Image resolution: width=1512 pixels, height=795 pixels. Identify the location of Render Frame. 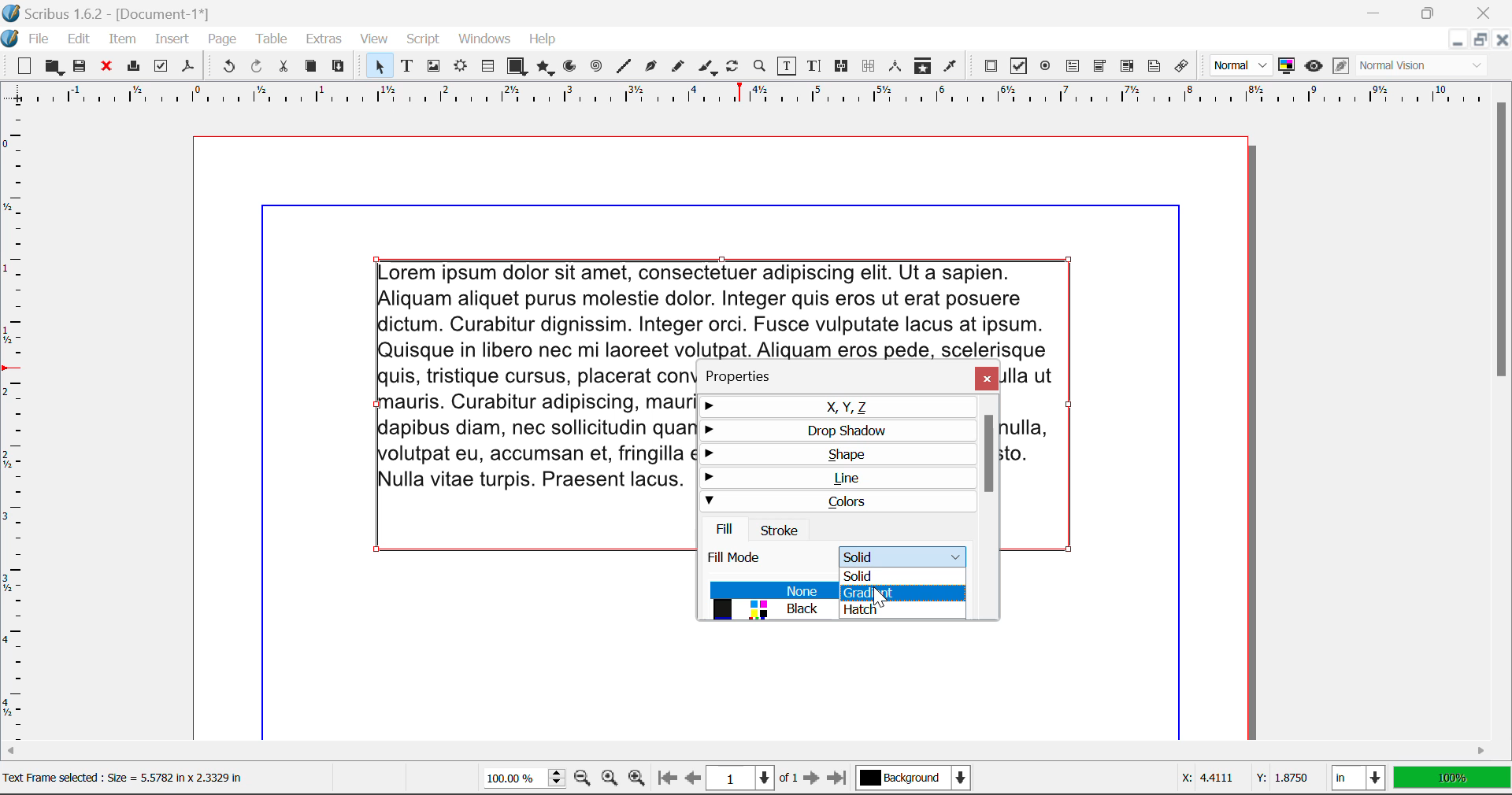
(460, 68).